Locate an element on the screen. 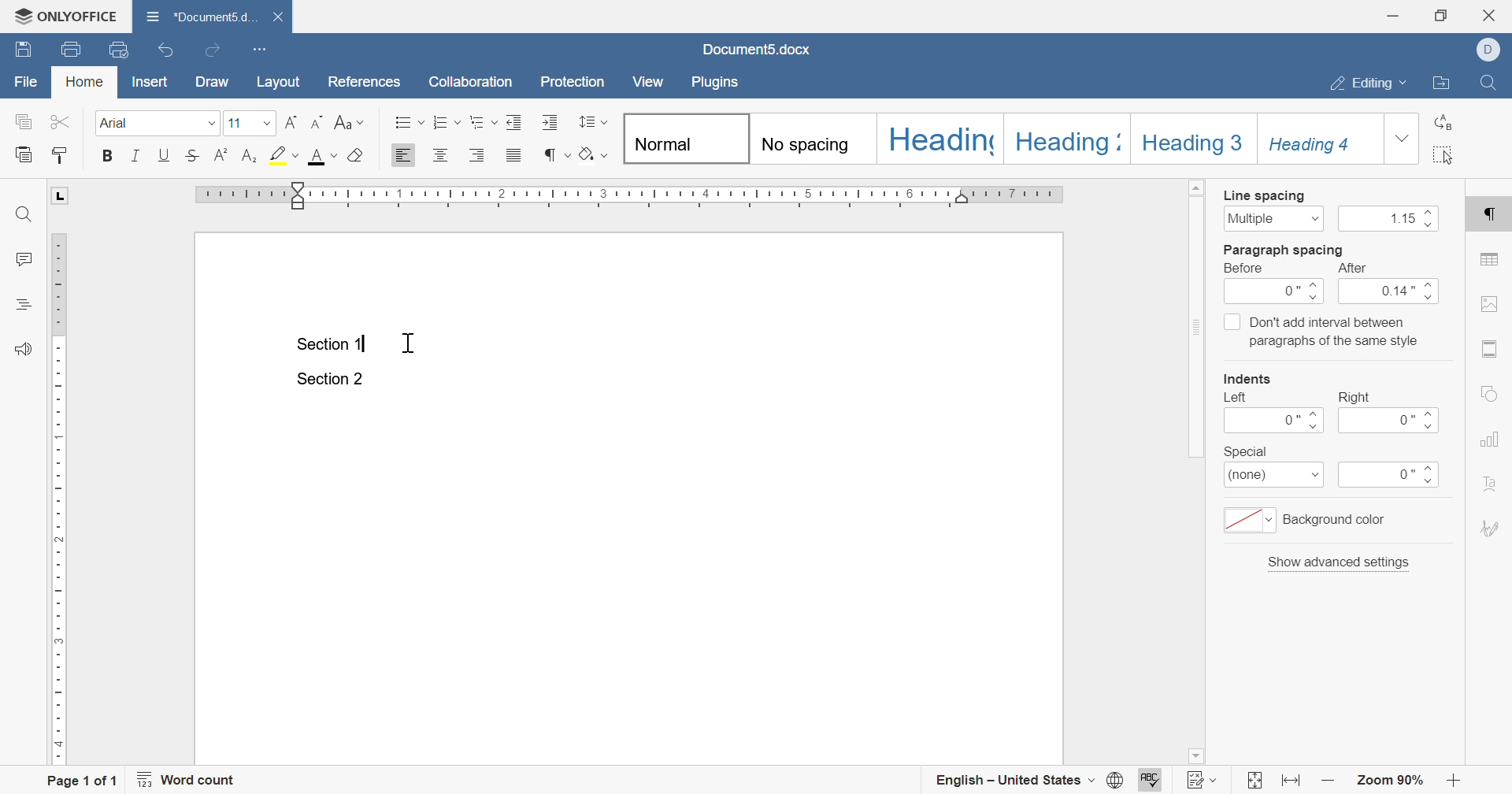 The height and width of the screenshot is (794, 1512). save is located at coordinates (23, 49).